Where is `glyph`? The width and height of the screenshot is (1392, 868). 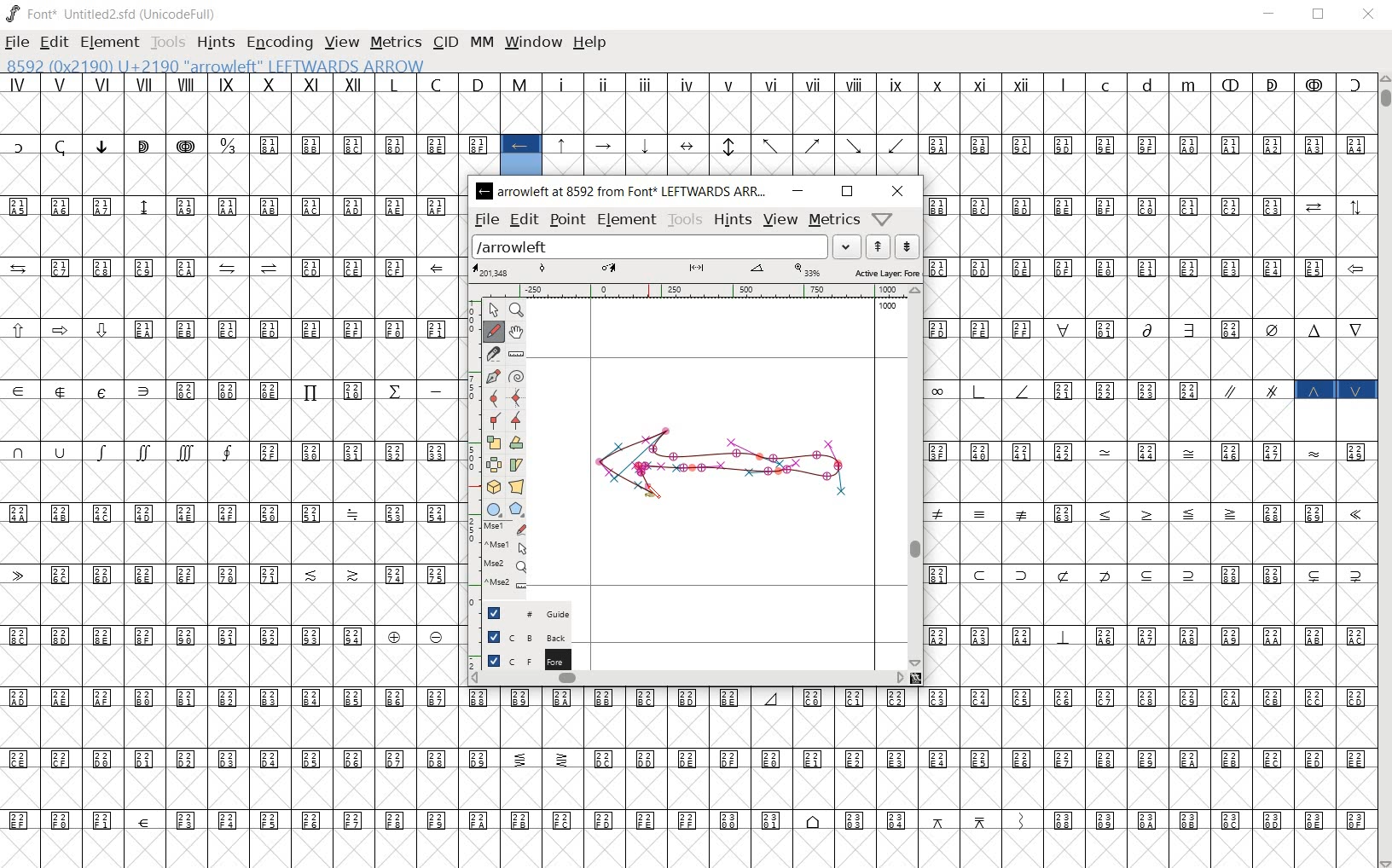
glyph is located at coordinates (693, 778).